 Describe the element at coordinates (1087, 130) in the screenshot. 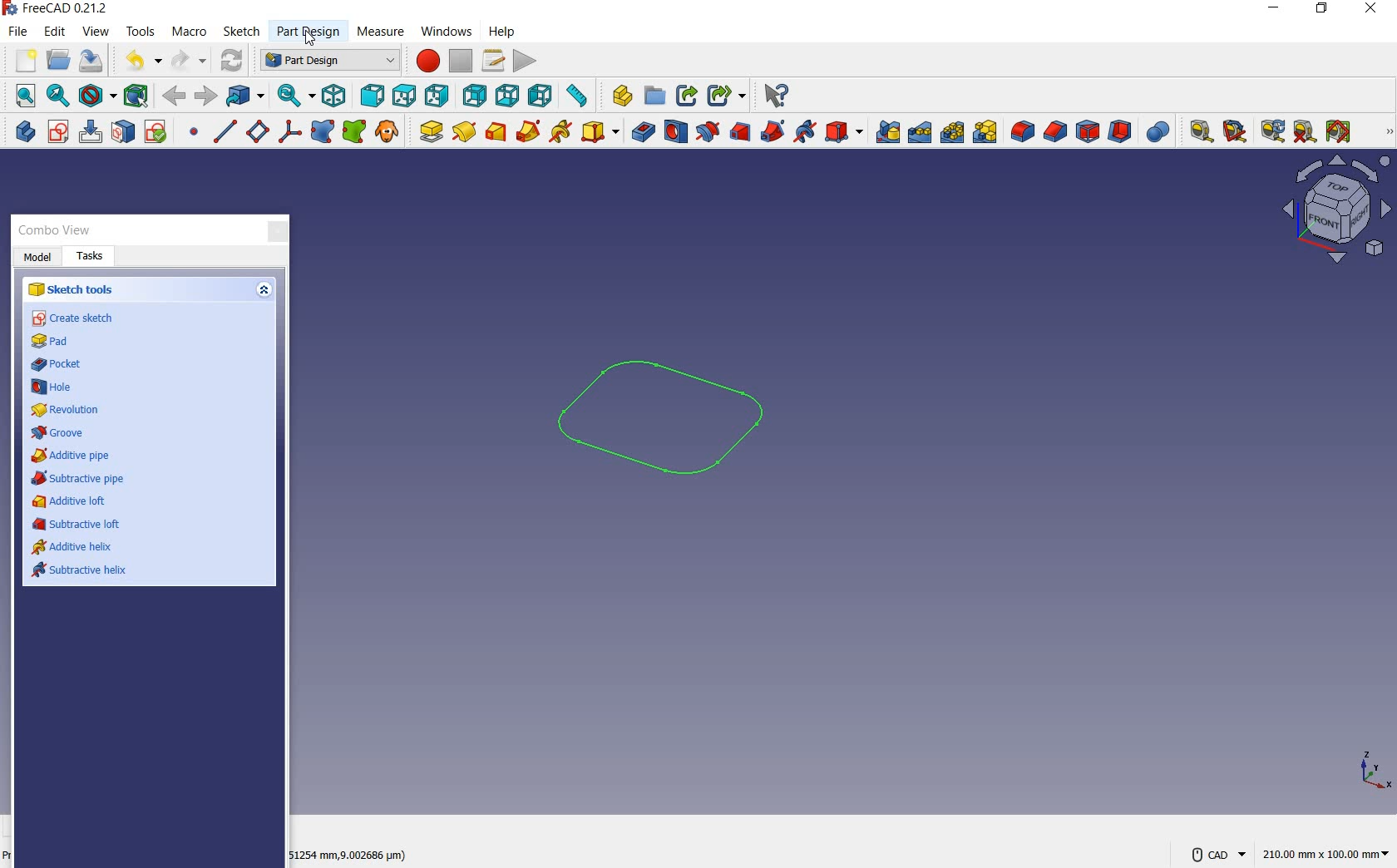

I see `draft` at that location.